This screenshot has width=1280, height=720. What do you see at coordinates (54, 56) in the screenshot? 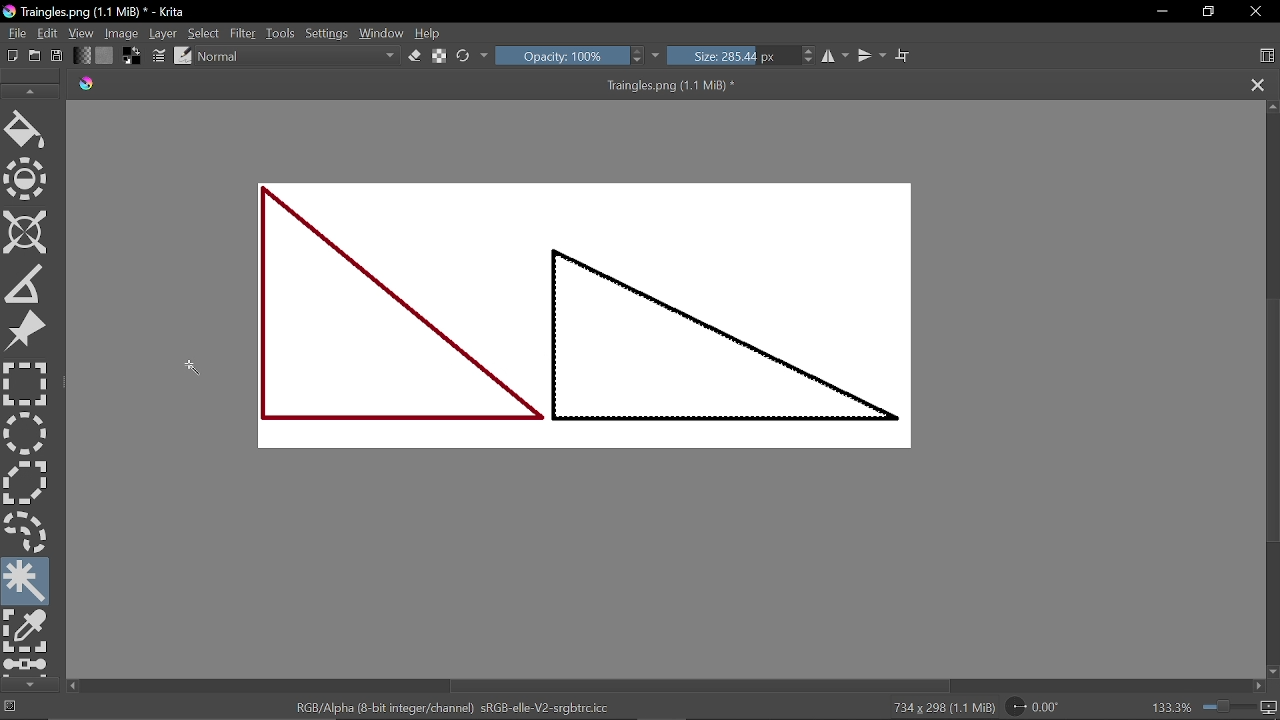
I see `Save` at bounding box center [54, 56].